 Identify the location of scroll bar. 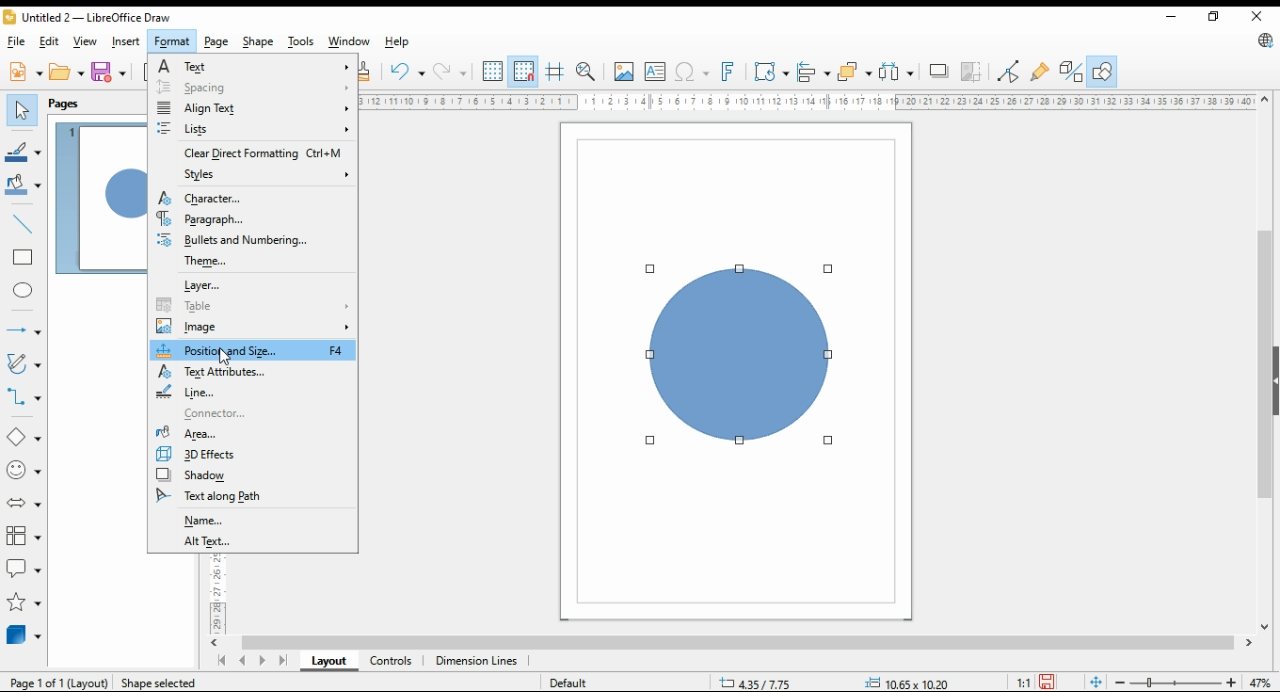
(1266, 361).